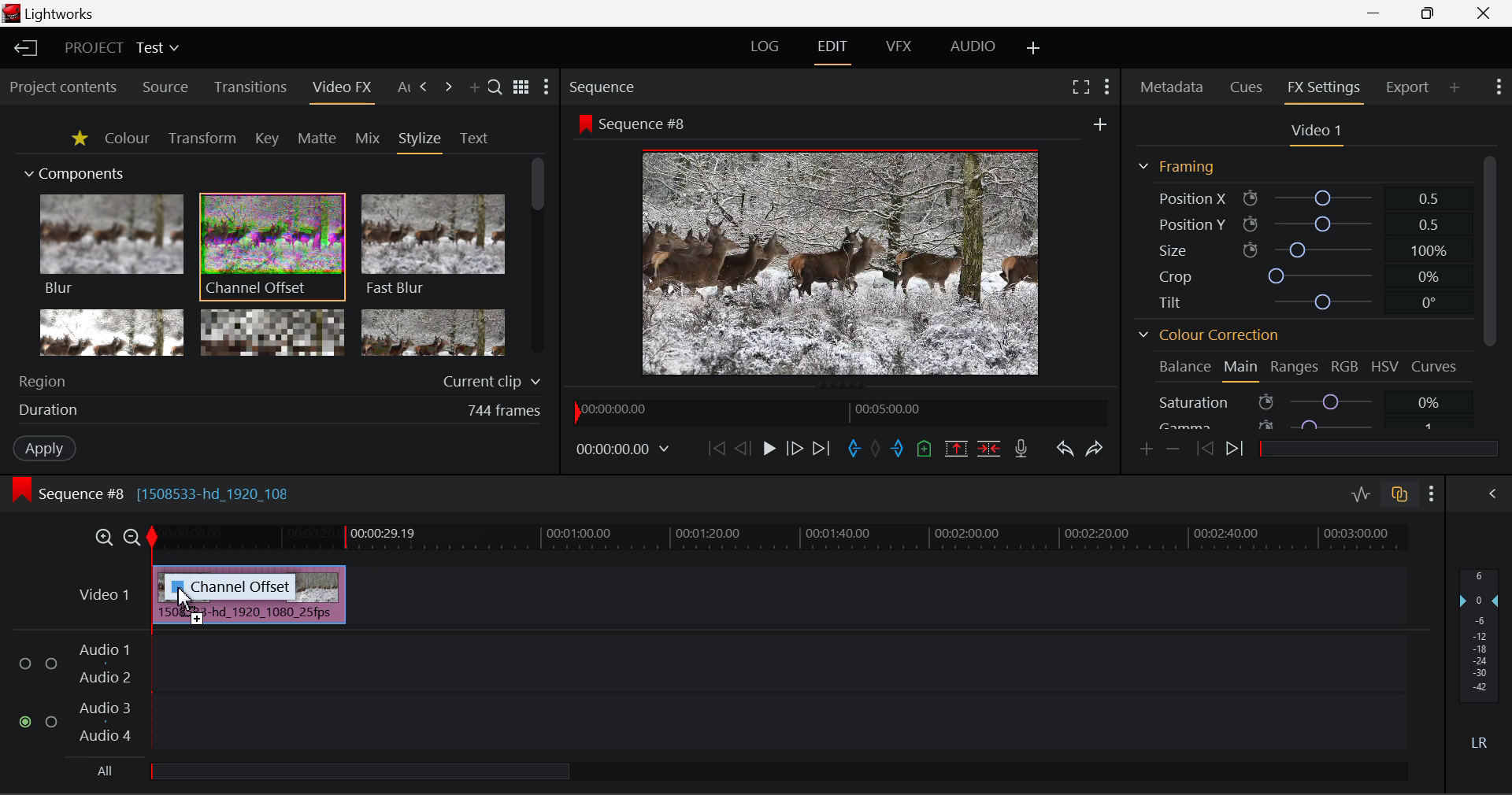 The image size is (1512, 795). Describe the element at coordinates (473, 139) in the screenshot. I see `Text` at that location.